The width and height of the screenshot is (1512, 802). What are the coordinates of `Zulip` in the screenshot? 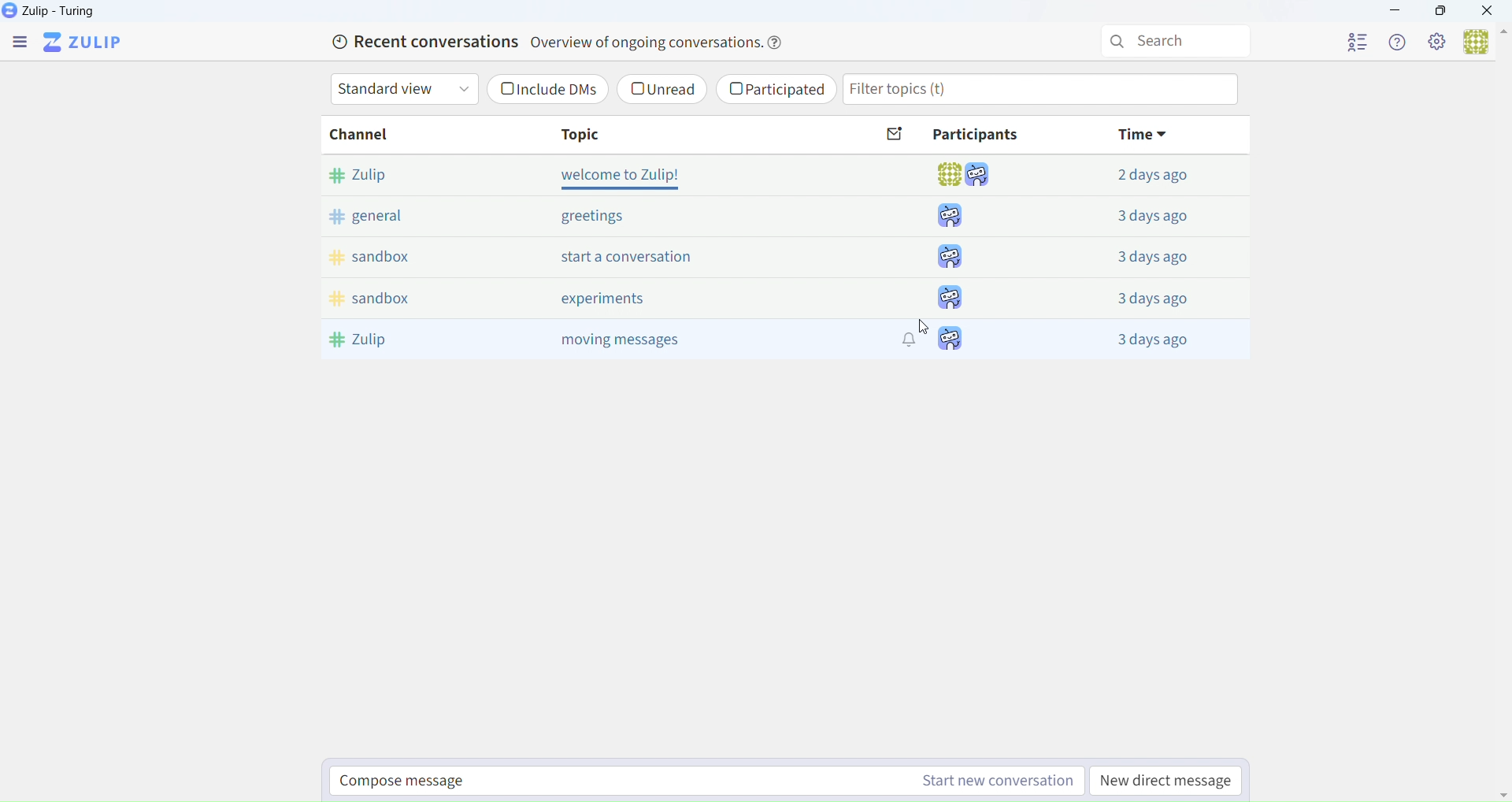 It's located at (91, 42).